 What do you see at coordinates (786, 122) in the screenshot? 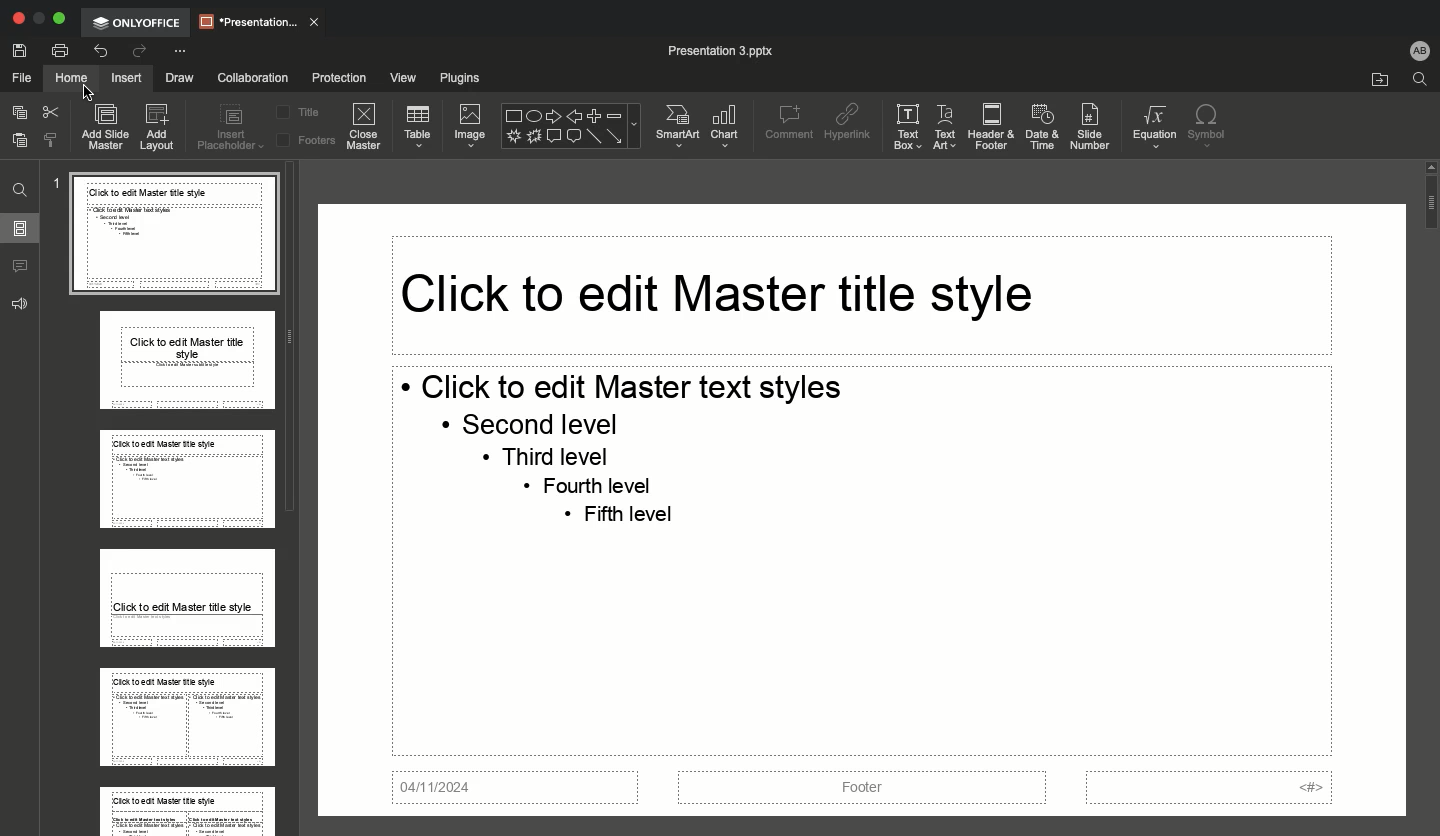
I see `Comment` at bounding box center [786, 122].